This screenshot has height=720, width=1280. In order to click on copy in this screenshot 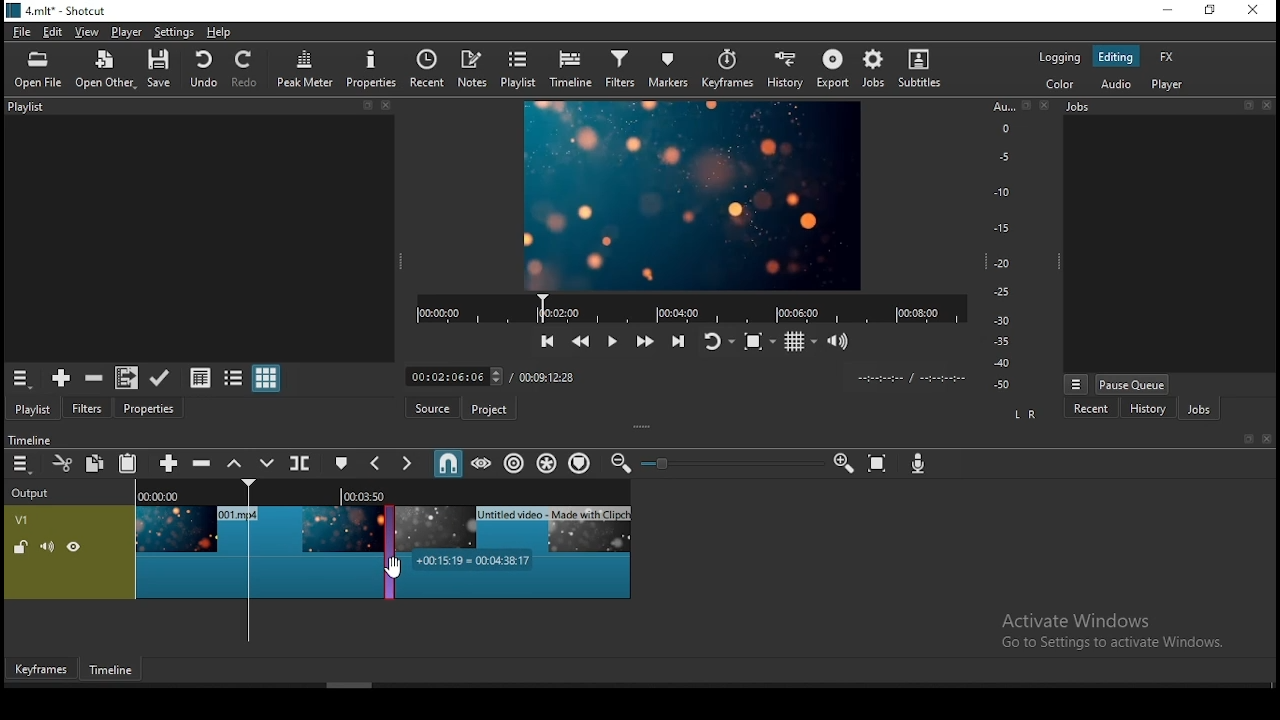, I will do `click(95, 464)`.